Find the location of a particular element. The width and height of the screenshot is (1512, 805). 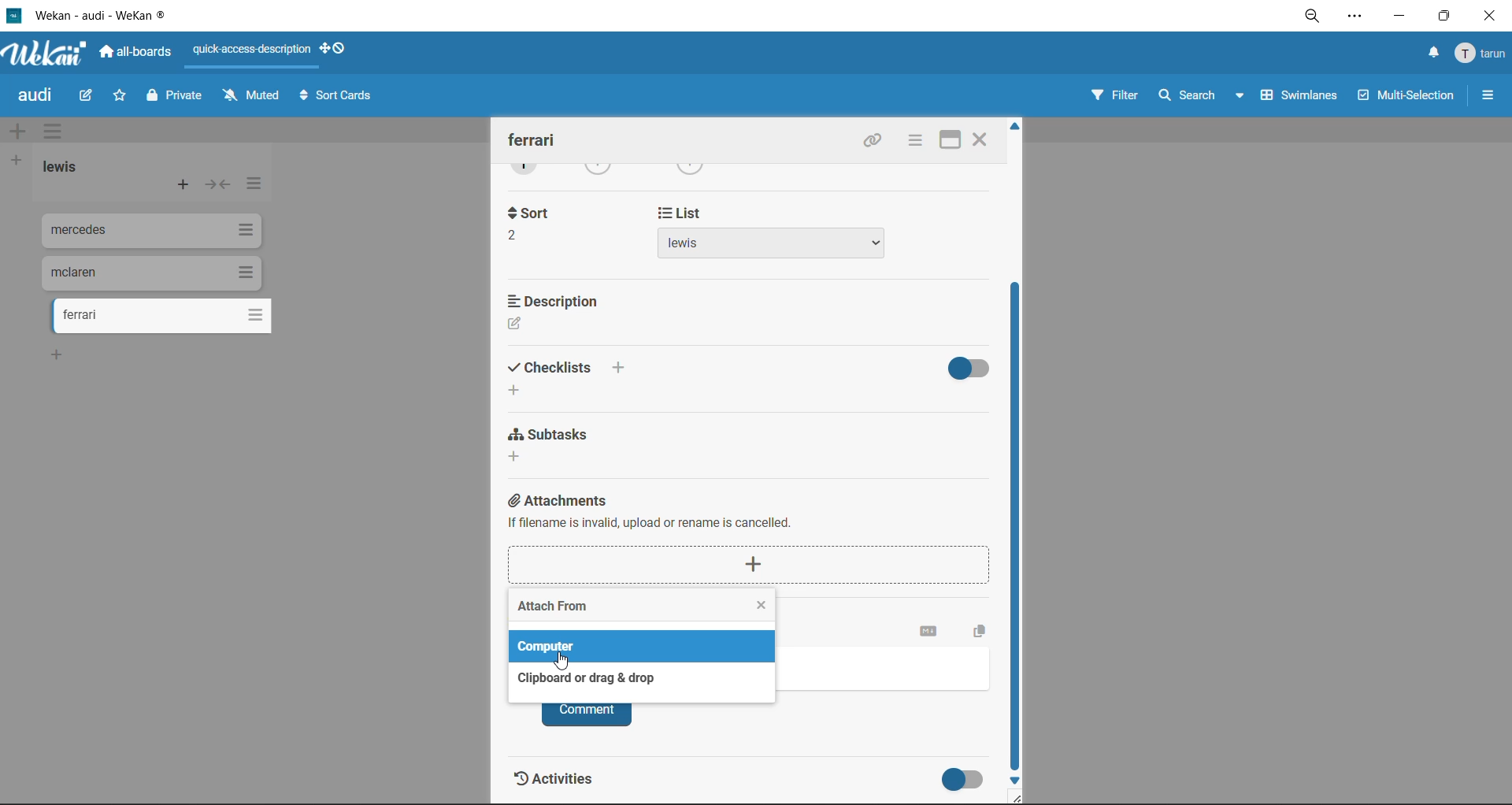

show desktop drag handles is located at coordinates (335, 50).